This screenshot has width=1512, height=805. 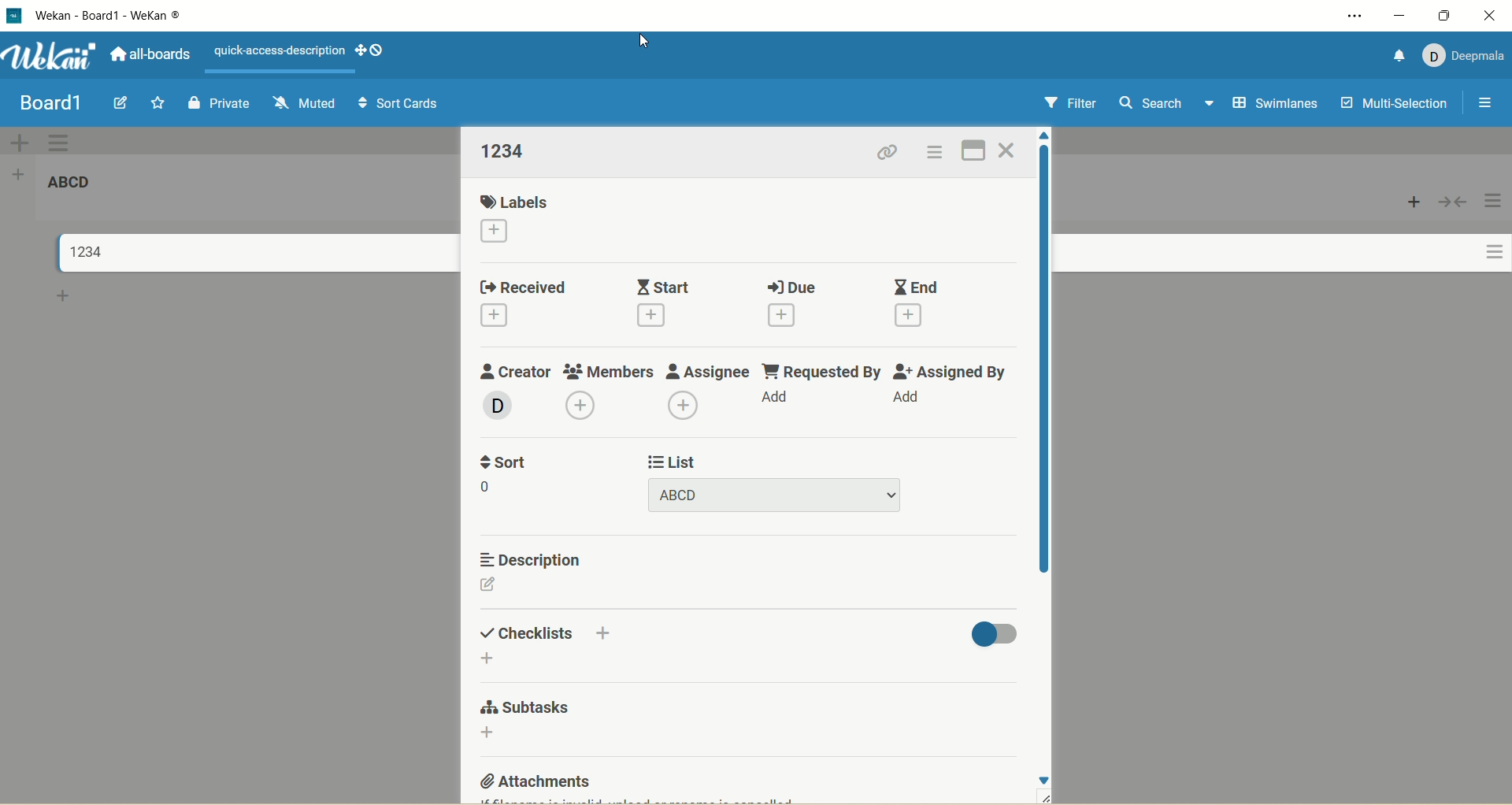 What do you see at coordinates (1393, 56) in the screenshot?
I see `notification` at bounding box center [1393, 56].